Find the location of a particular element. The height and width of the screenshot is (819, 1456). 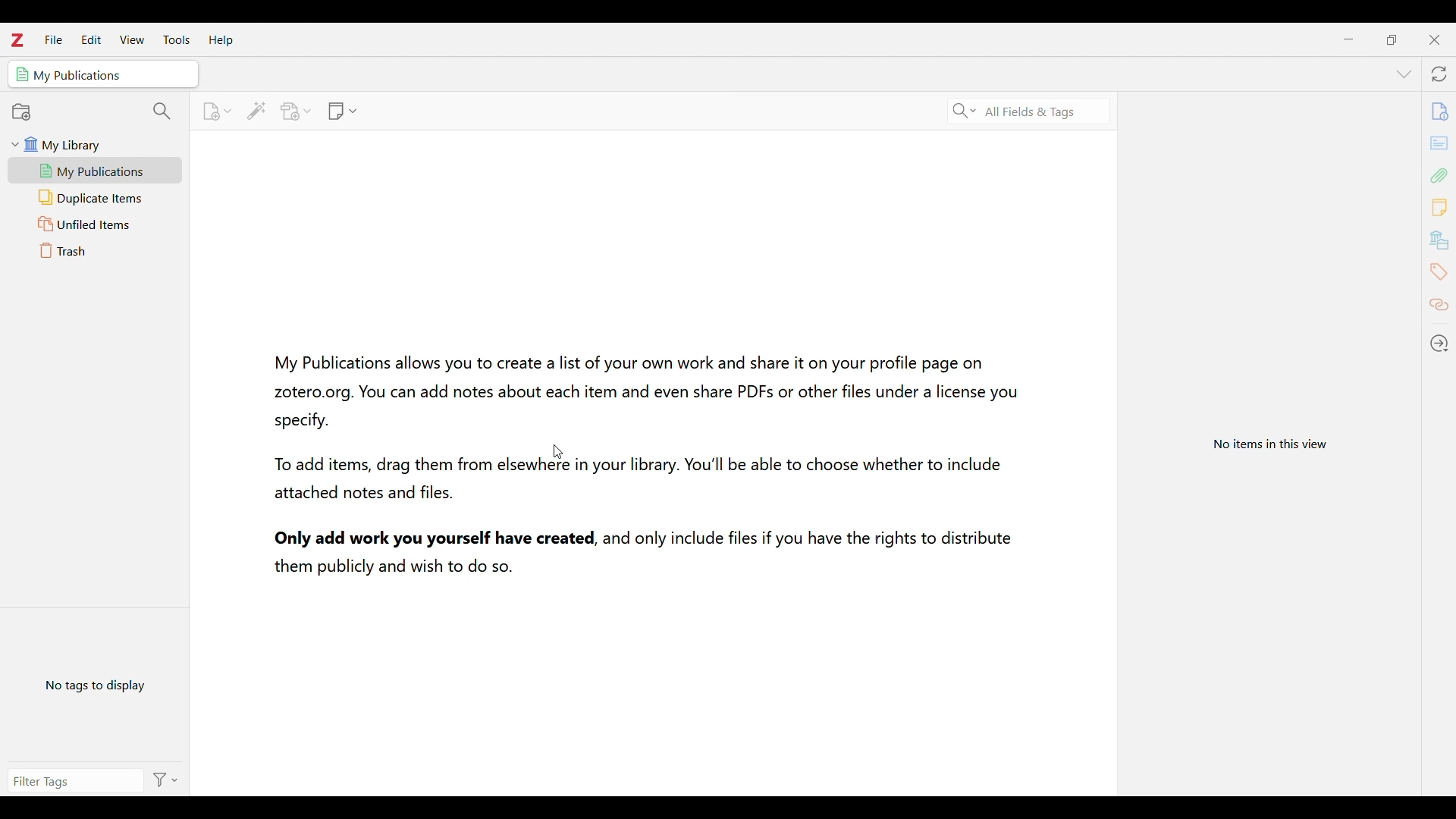

Help is located at coordinates (221, 41).